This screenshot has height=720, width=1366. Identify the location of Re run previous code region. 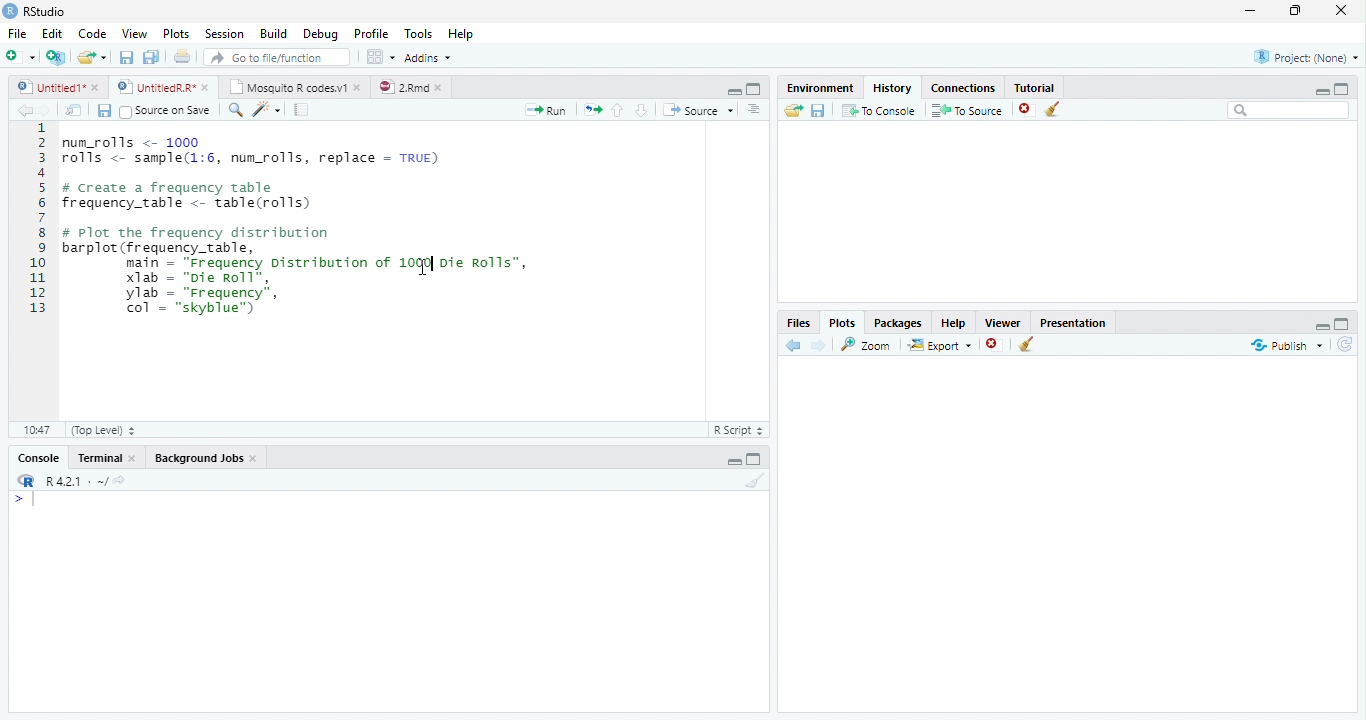
(591, 111).